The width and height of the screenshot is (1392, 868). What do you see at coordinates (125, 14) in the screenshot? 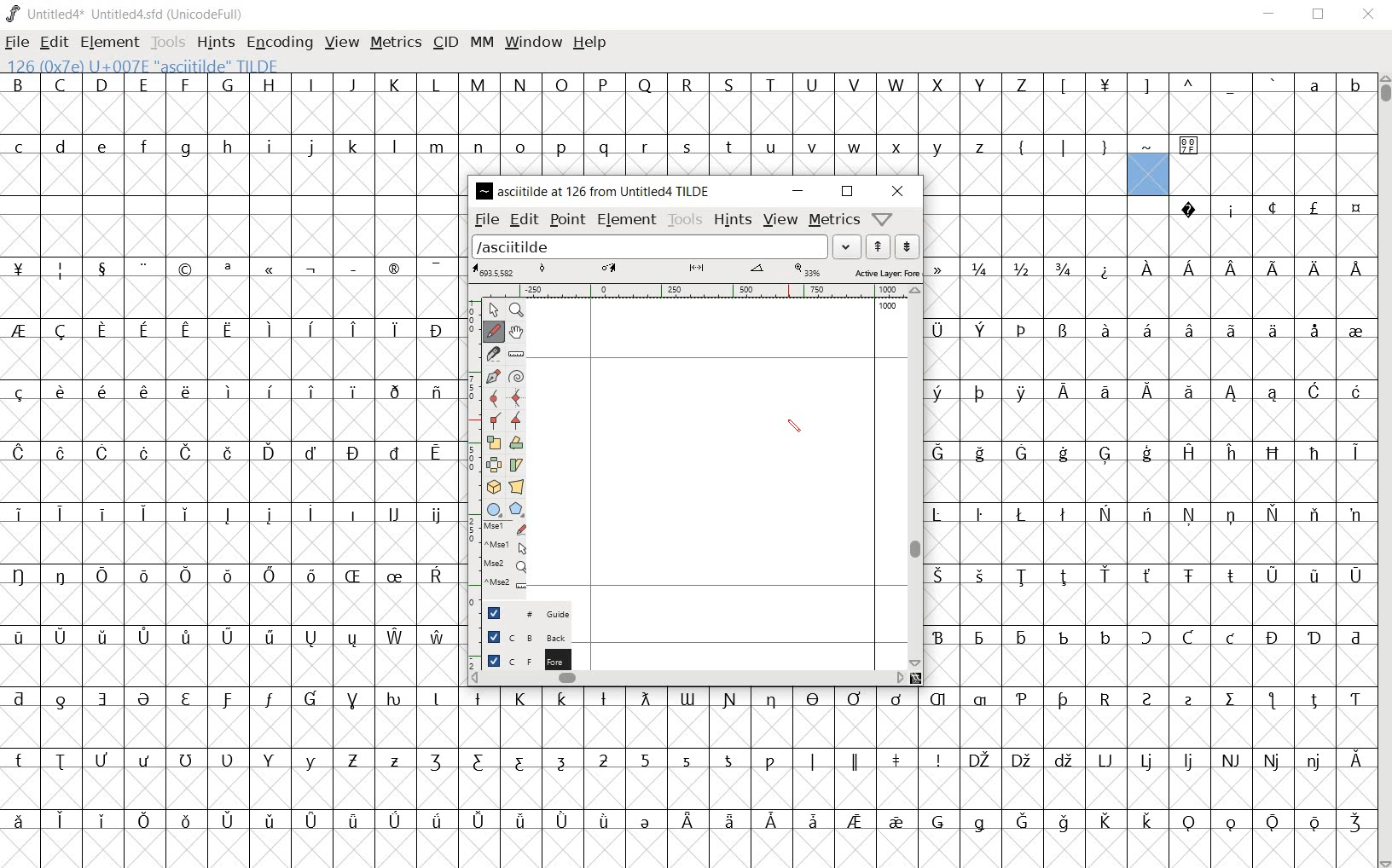
I see `Untitled4* Untitled4.sfd (UnicodeFull)` at bounding box center [125, 14].